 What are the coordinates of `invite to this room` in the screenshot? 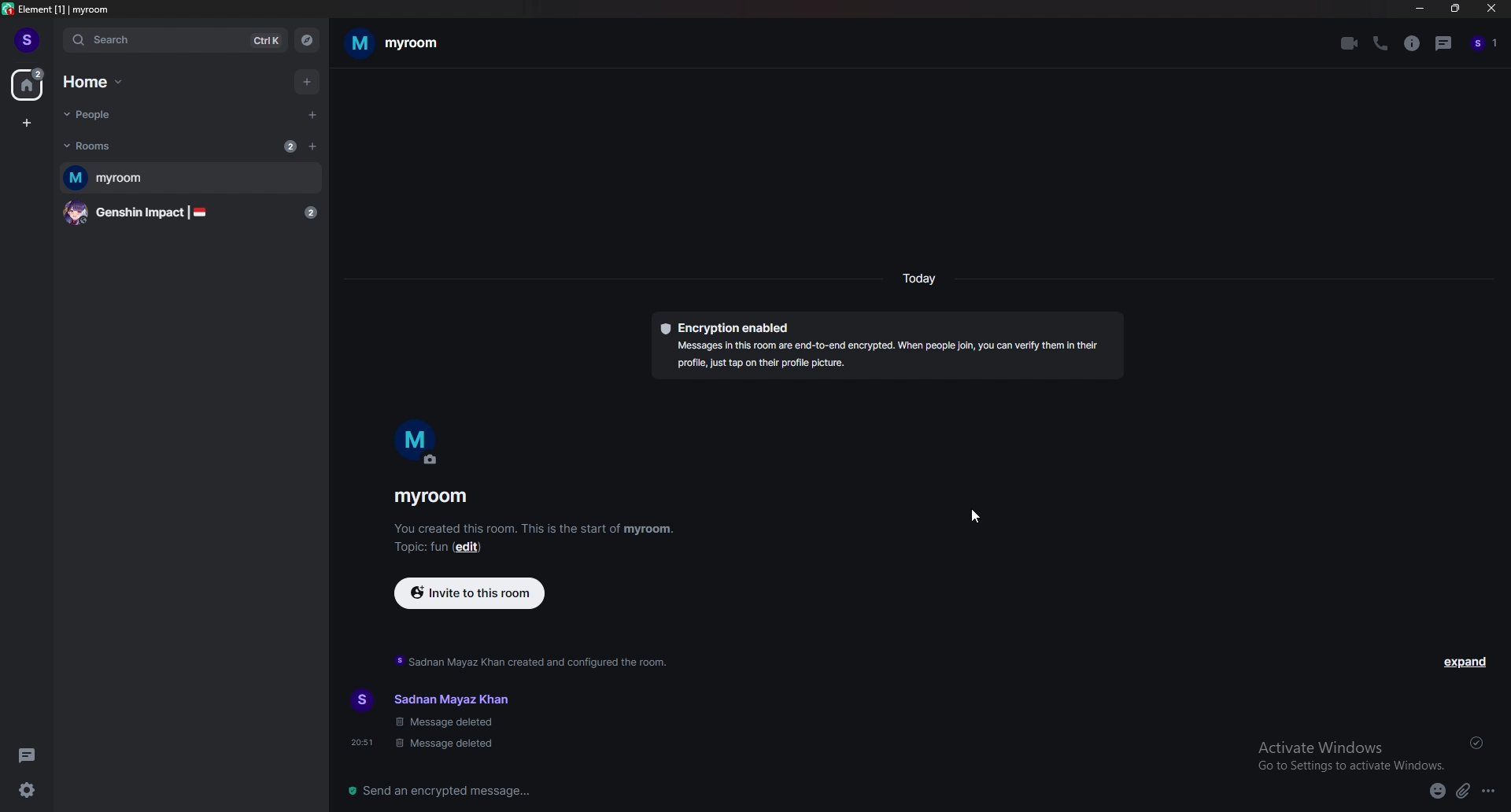 It's located at (471, 593).